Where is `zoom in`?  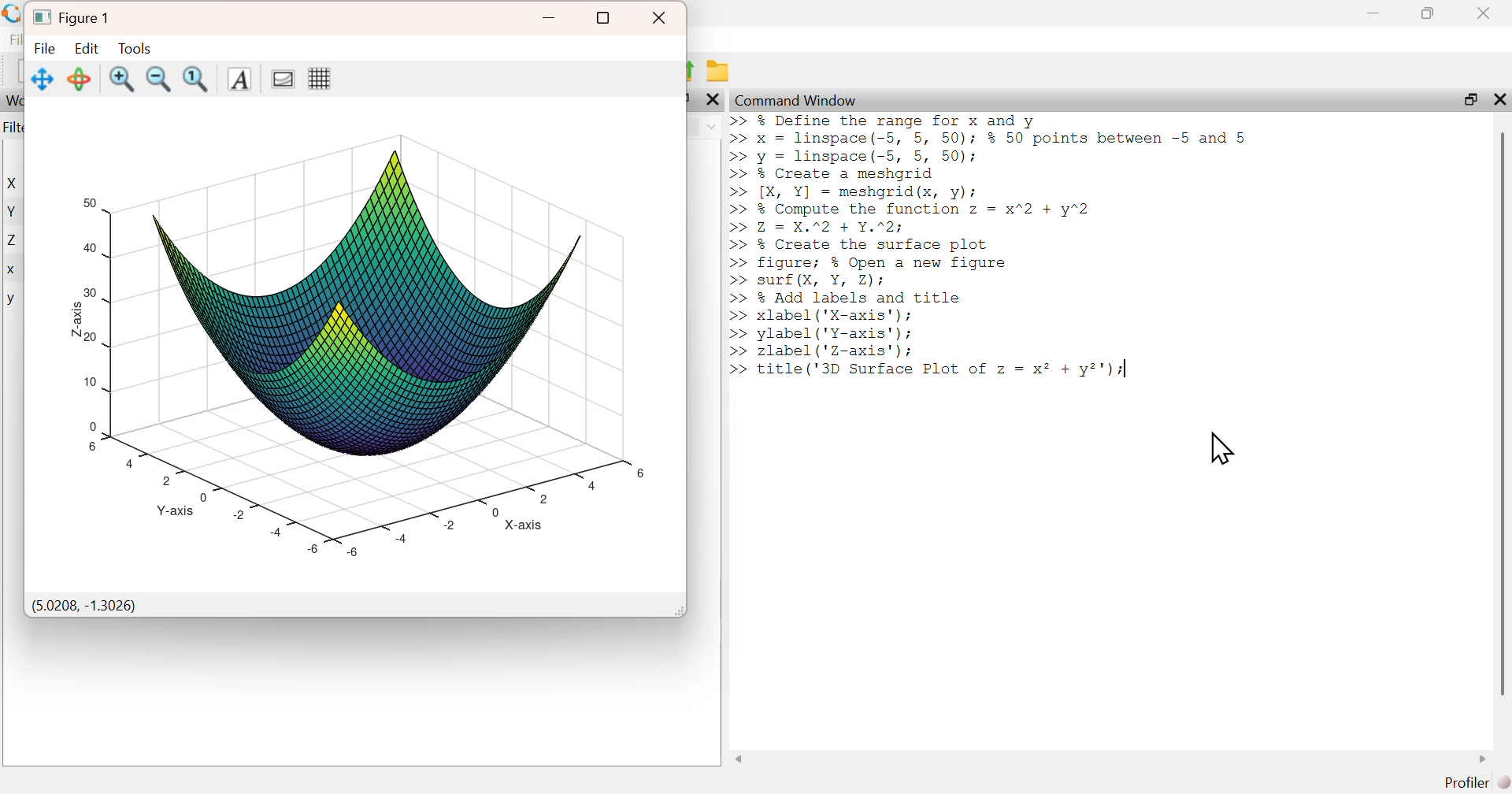 zoom in is located at coordinates (122, 79).